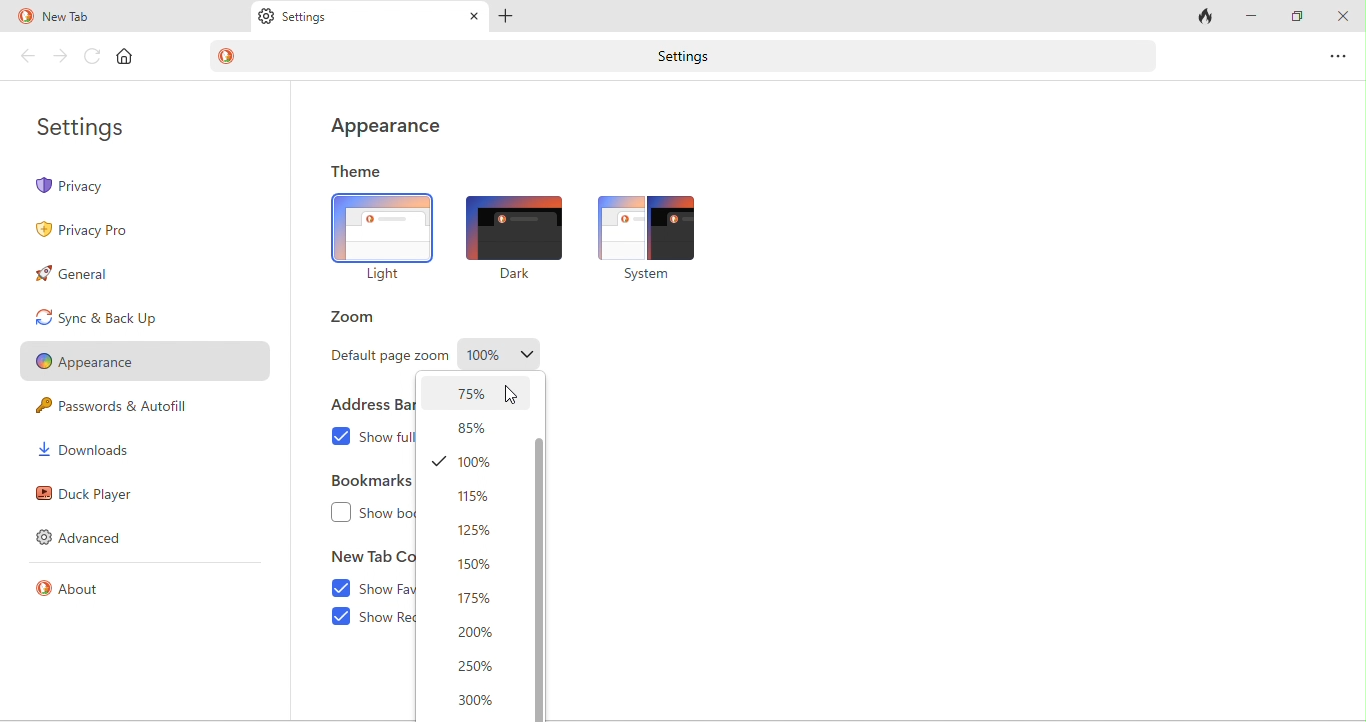 Image resolution: width=1366 pixels, height=722 pixels. What do you see at coordinates (91, 131) in the screenshot?
I see `settings` at bounding box center [91, 131].